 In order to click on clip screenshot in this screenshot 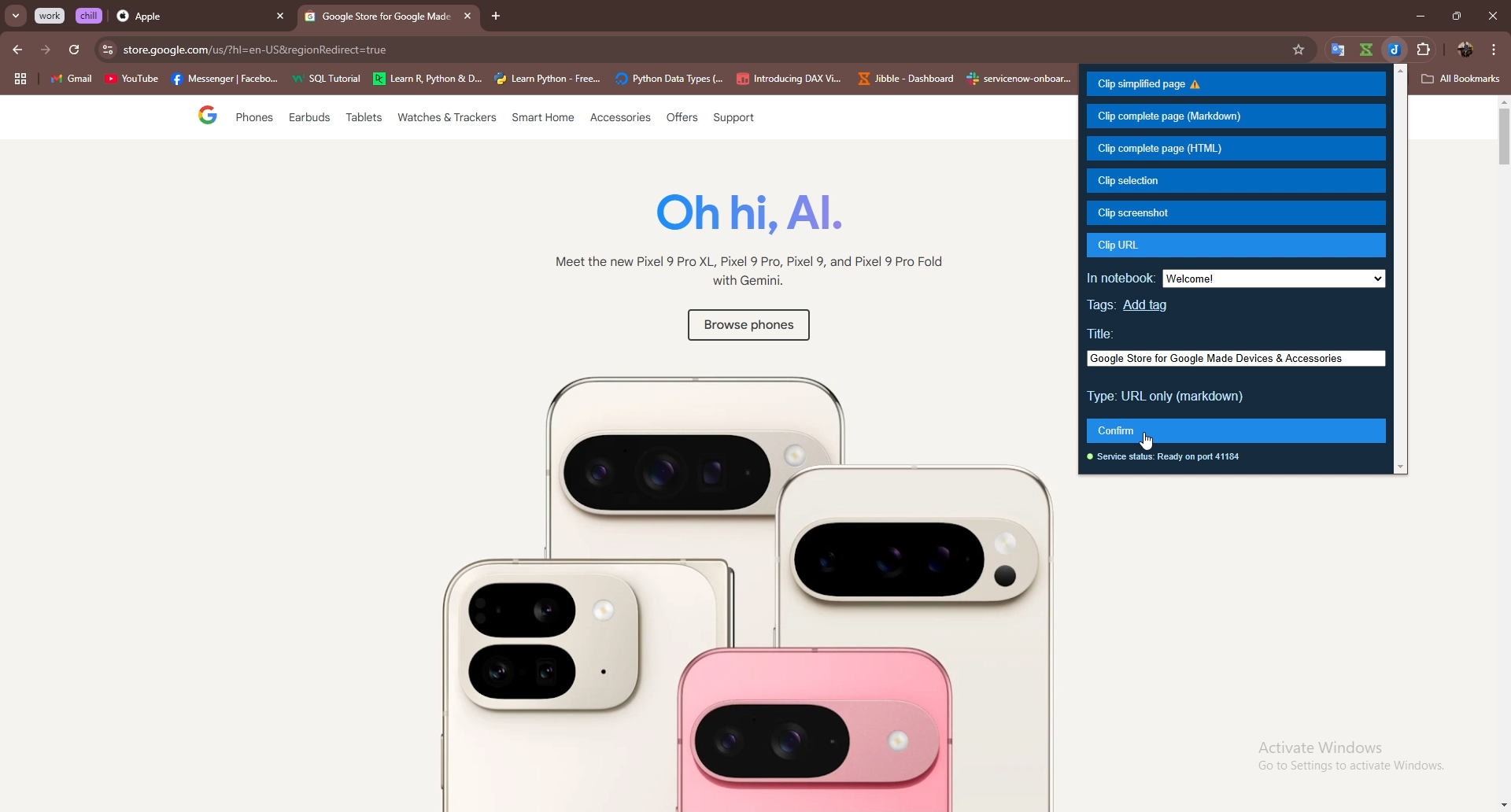, I will do `click(1238, 212)`.